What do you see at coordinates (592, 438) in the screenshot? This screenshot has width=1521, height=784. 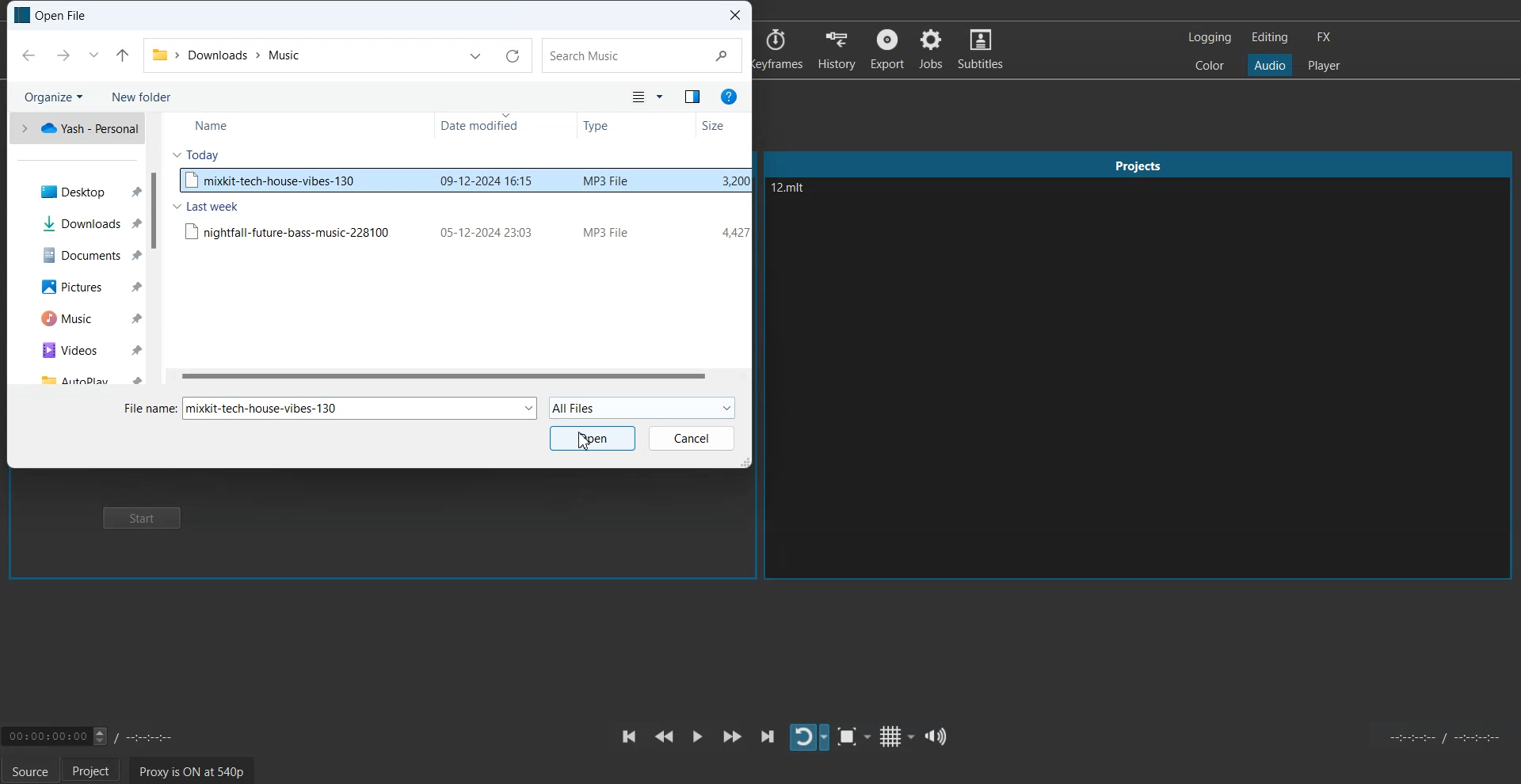 I see `Open` at bounding box center [592, 438].